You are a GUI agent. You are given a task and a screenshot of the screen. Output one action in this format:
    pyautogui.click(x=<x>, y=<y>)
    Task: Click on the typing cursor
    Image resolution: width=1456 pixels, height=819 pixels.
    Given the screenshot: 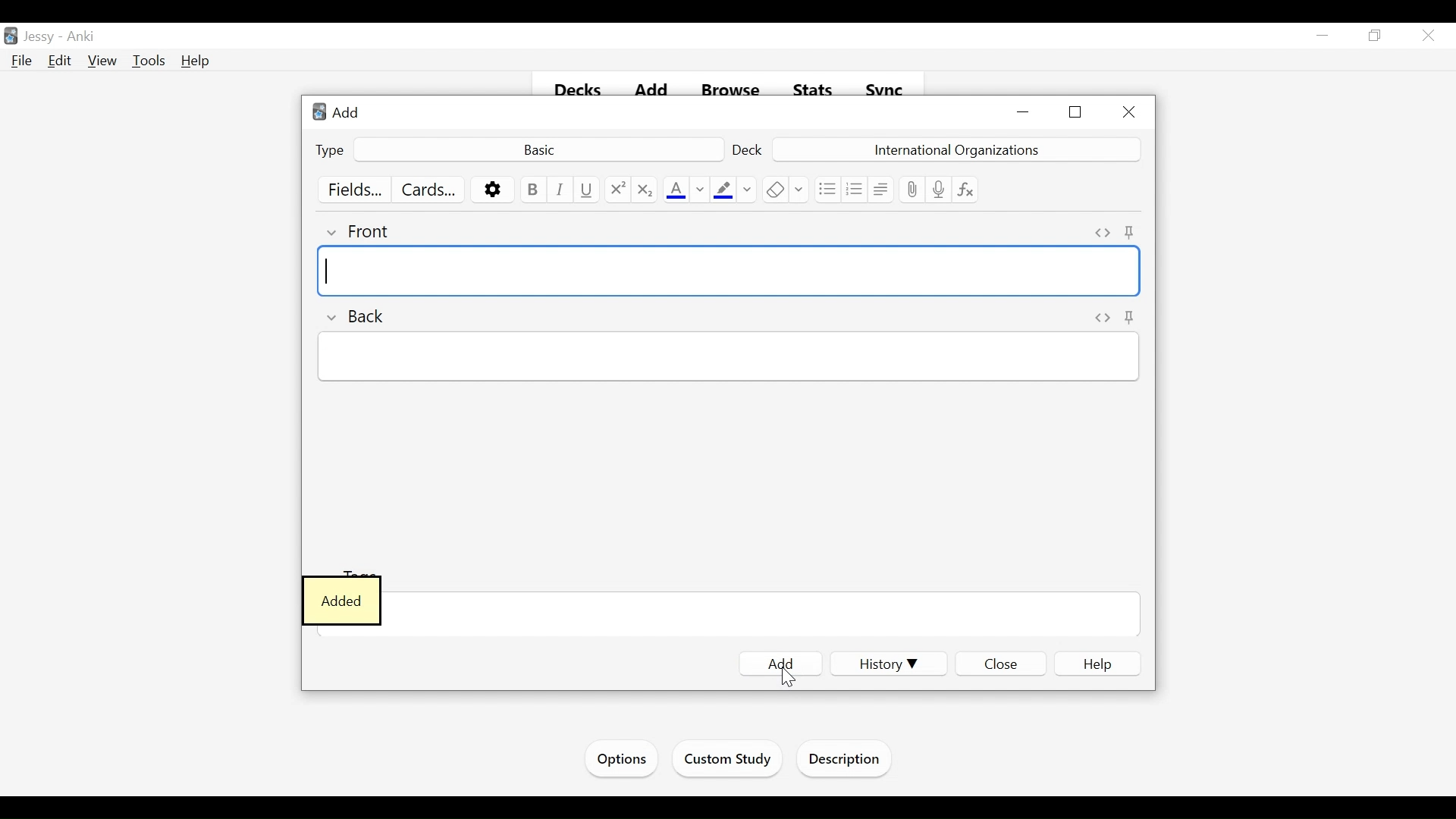 What is the action you would take?
    pyautogui.click(x=331, y=270)
    